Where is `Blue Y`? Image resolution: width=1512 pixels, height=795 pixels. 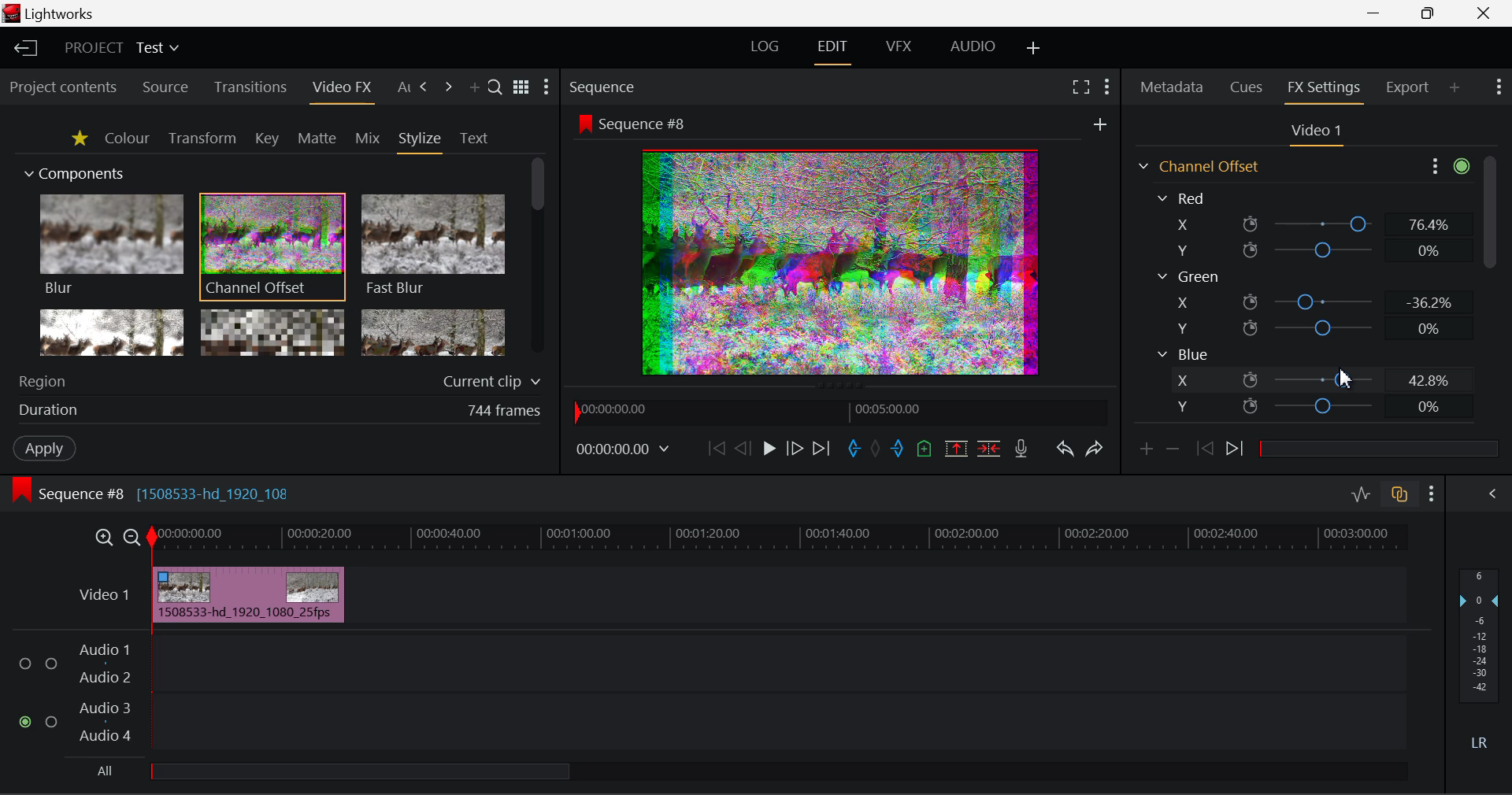
Blue Y is located at coordinates (1313, 405).